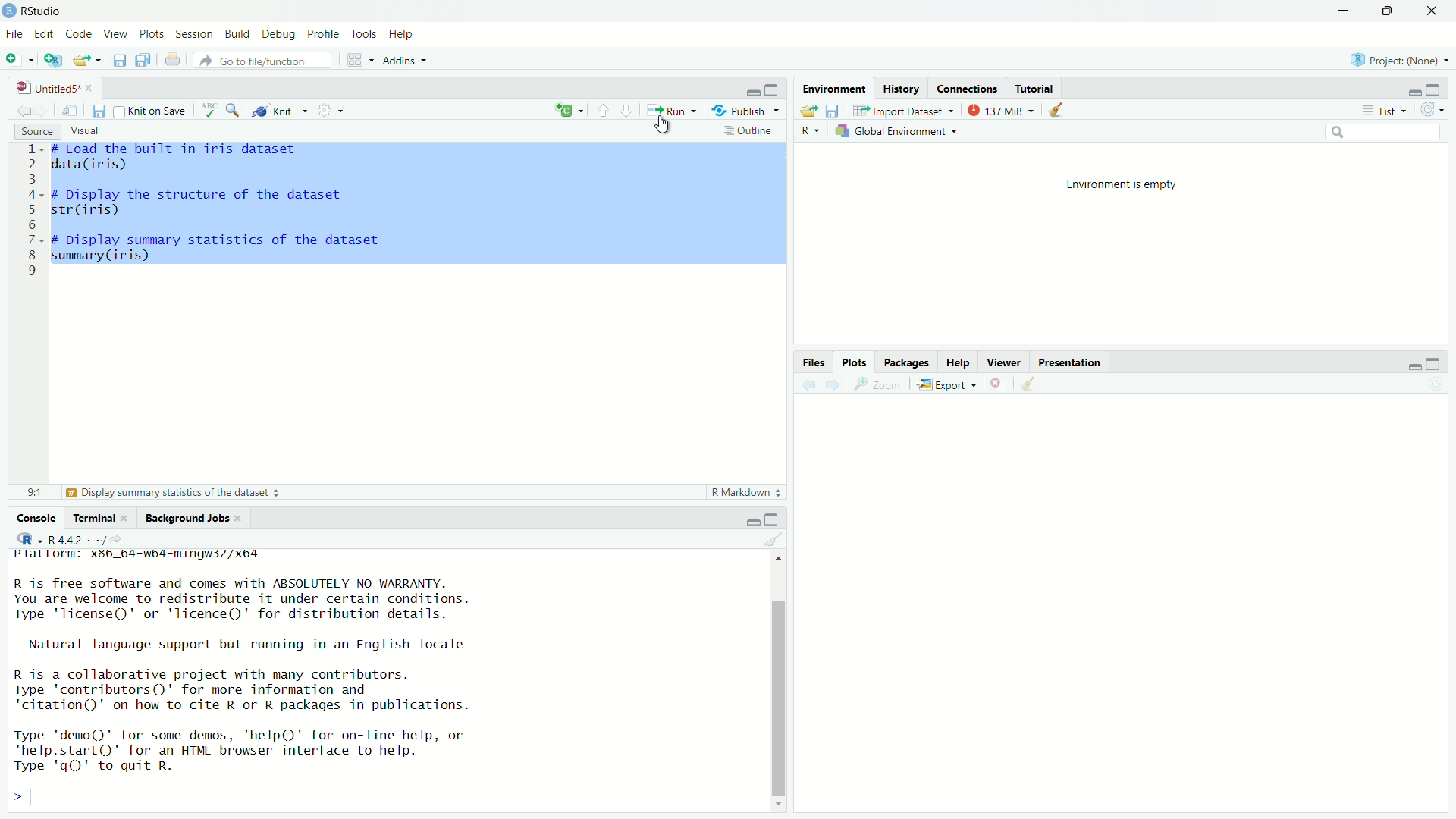 The image size is (1456, 819). Describe the element at coordinates (832, 384) in the screenshot. I see `Next plot` at that location.